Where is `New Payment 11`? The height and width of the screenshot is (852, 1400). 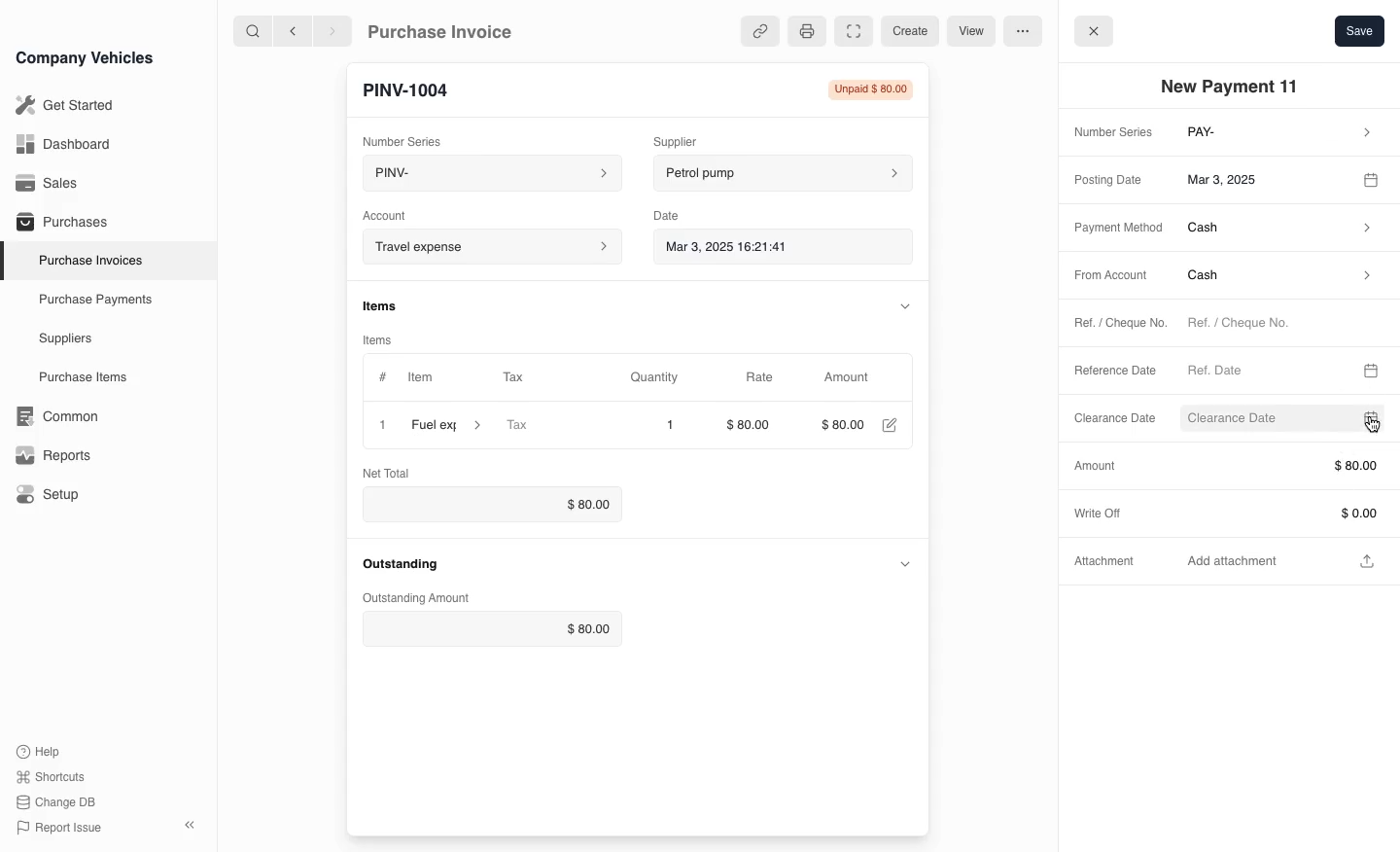
New Payment 11 is located at coordinates (1235, 87).